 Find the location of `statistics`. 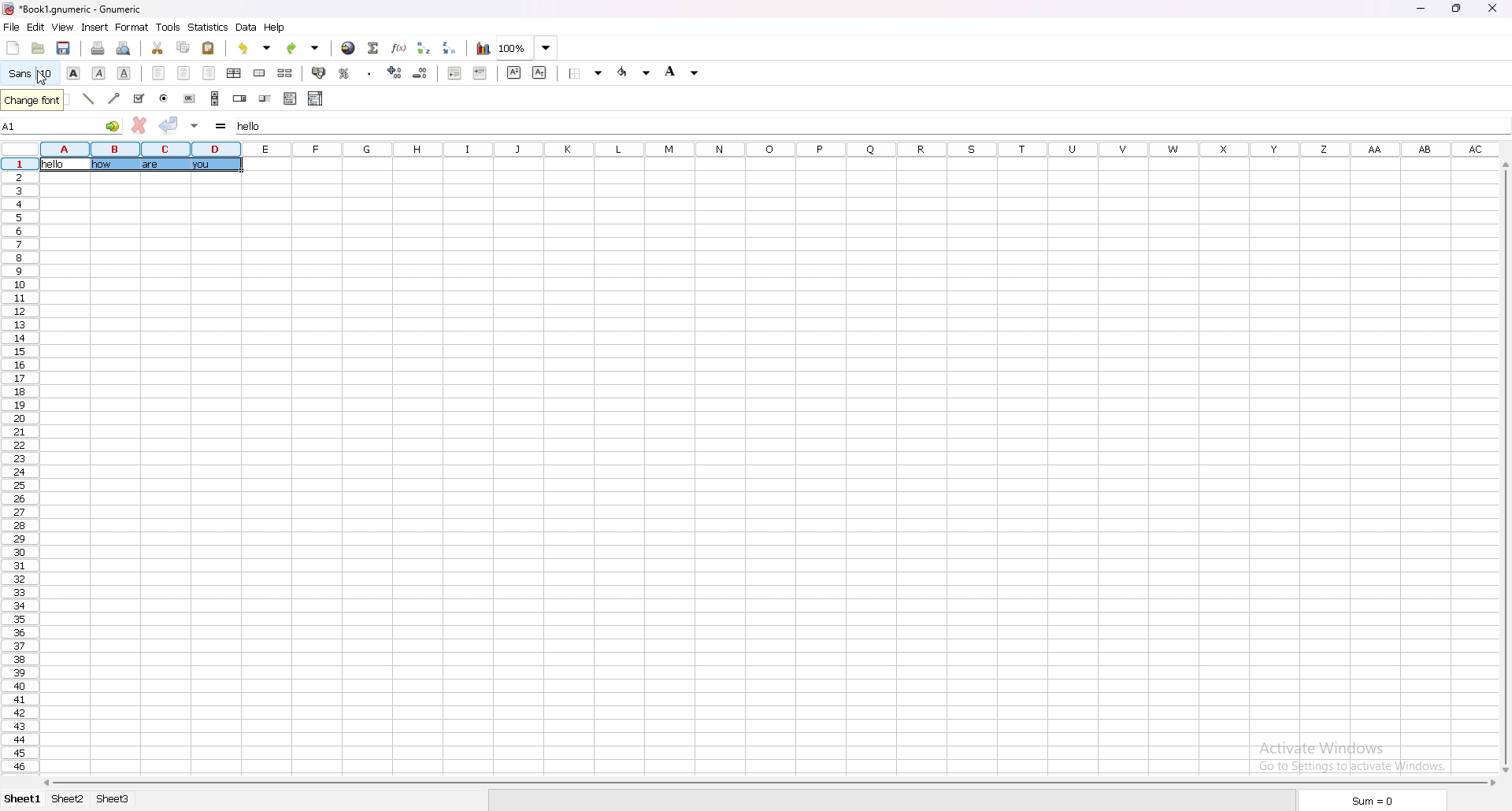

statistics is located at coordinates (209, 27).